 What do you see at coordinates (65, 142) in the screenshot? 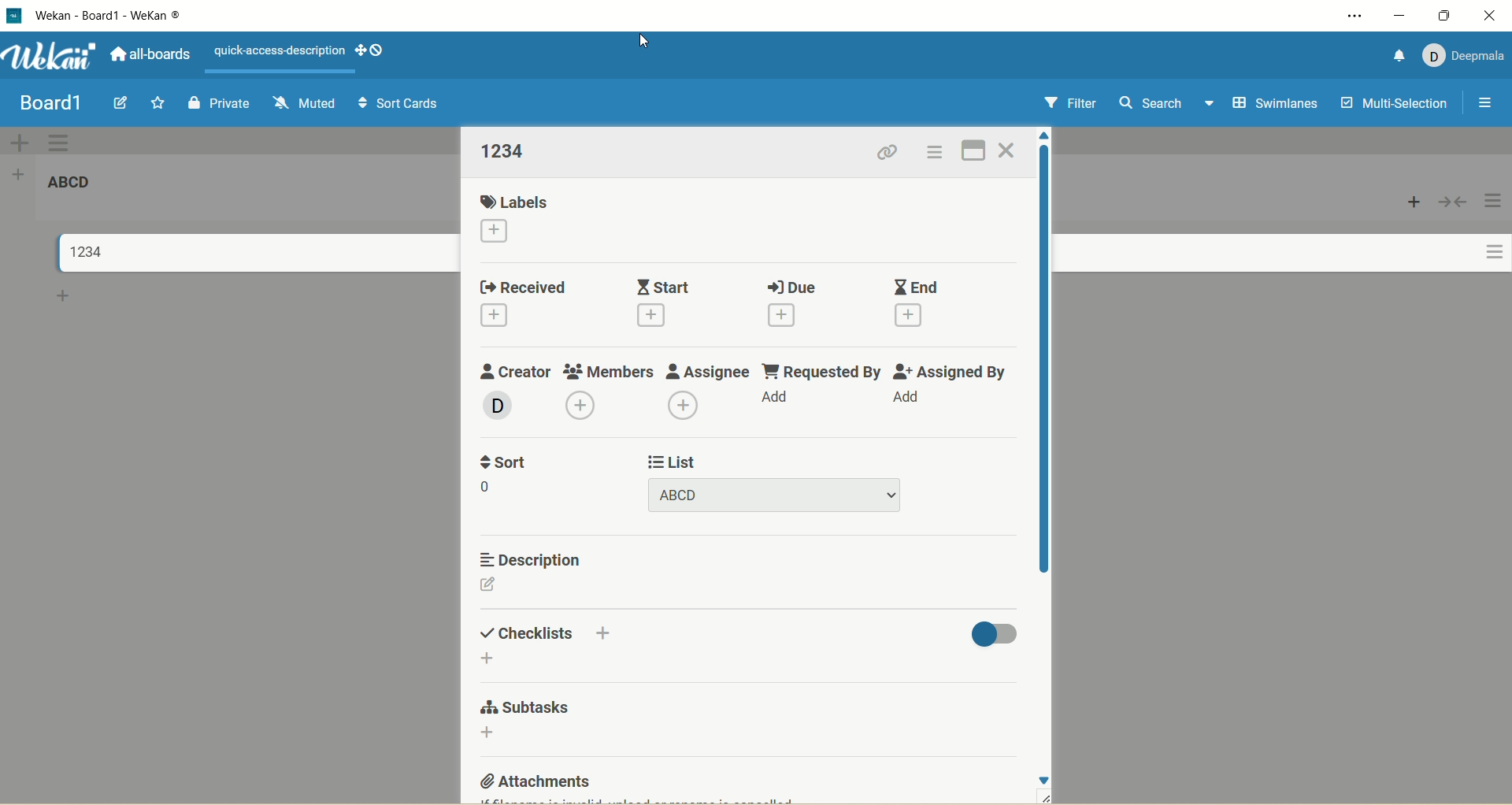
I see `swimlane action` at bounding box center [65, 142].